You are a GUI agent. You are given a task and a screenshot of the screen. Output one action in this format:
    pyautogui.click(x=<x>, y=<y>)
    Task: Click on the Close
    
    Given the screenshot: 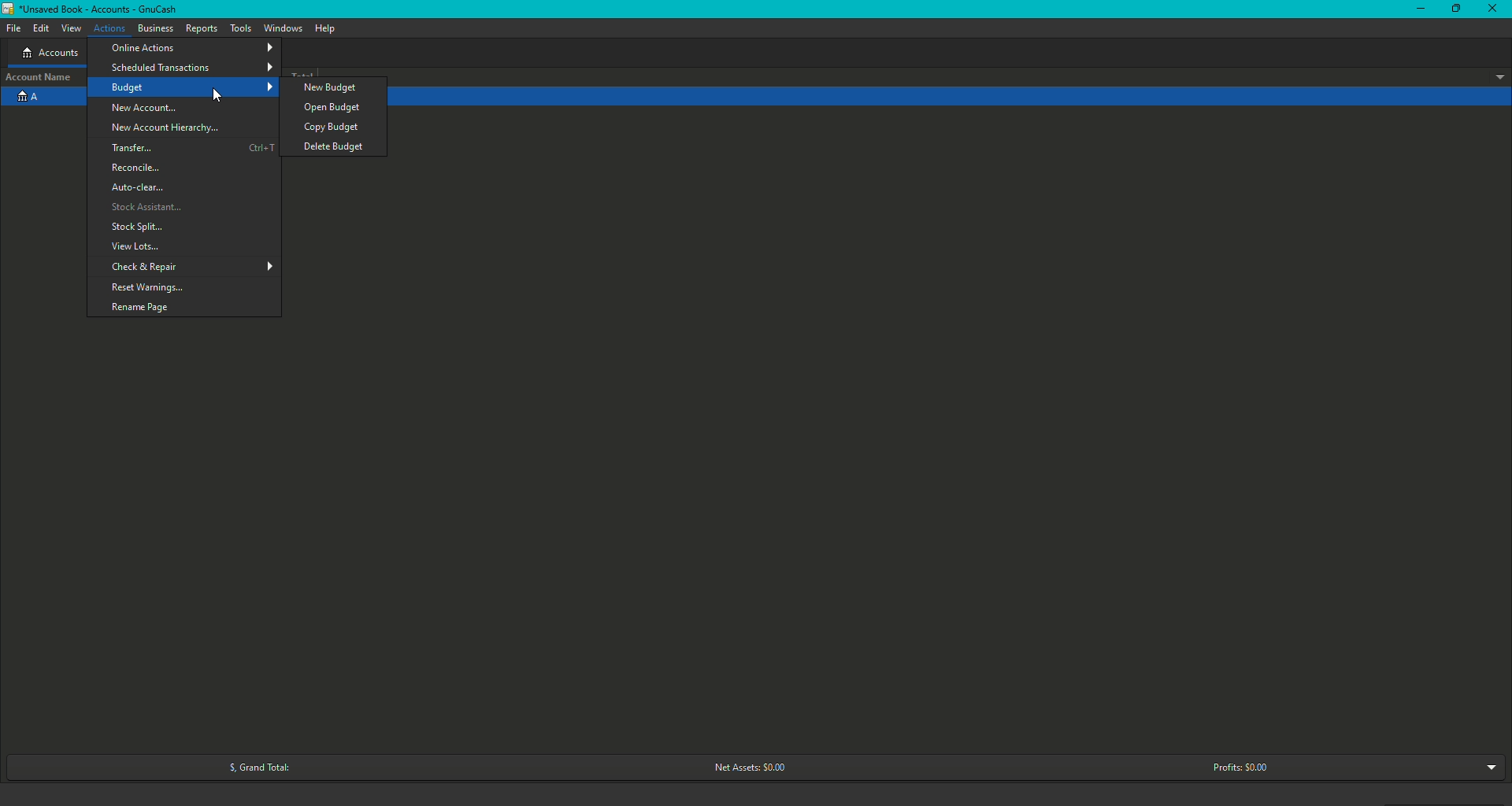 What is the action you would take?
    pyautogui.click(x=1495, y=9)
    